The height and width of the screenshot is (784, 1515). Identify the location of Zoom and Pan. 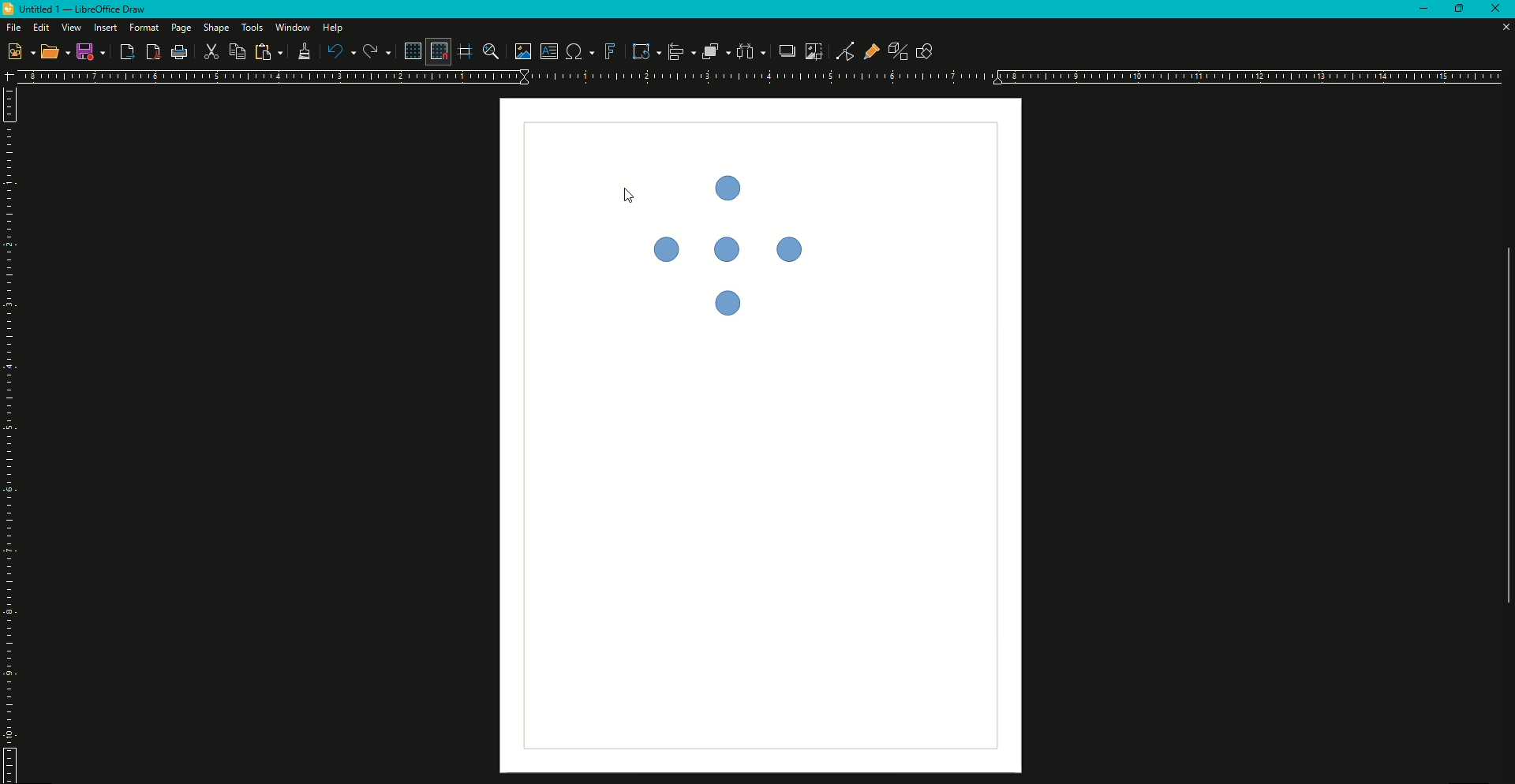
(489, 52).